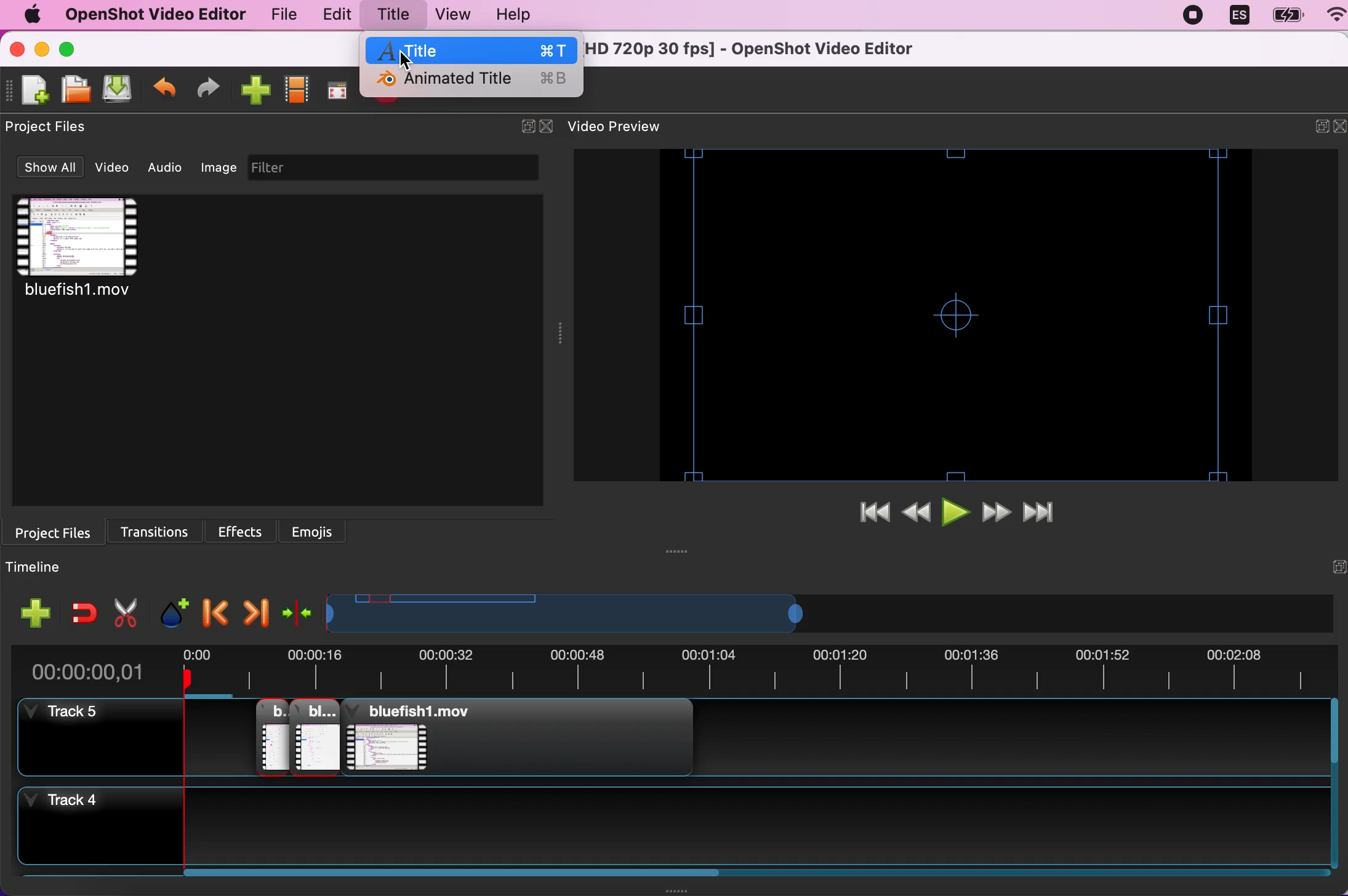  What do you see at coordinates (255, 609) in the screenshot?
I see `next marker` at bounding box center [255, 609].